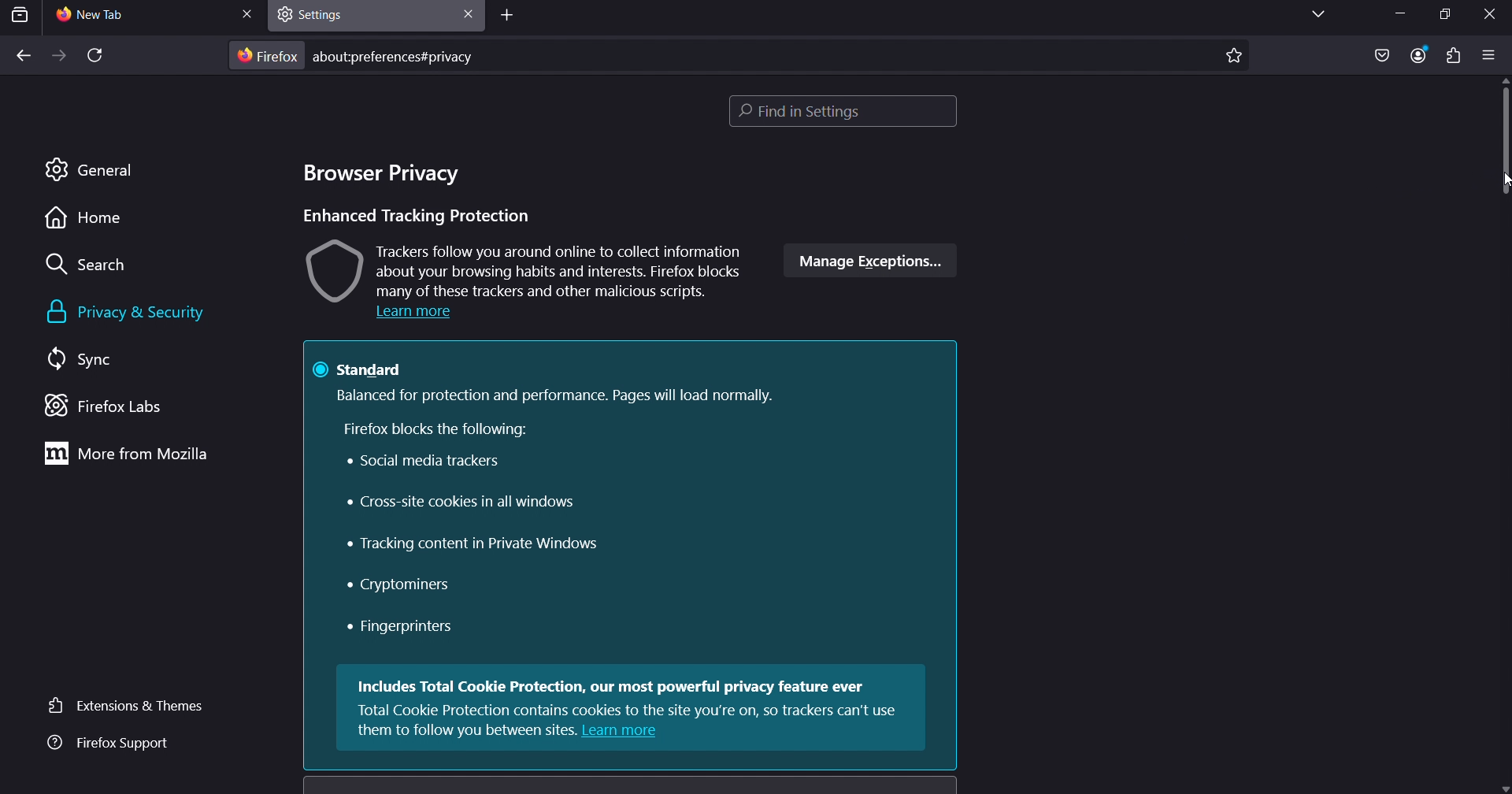  What do you see at coordinates (507, 17) in the screenshot?
I see `add tab` at bounding box center [507, 17].